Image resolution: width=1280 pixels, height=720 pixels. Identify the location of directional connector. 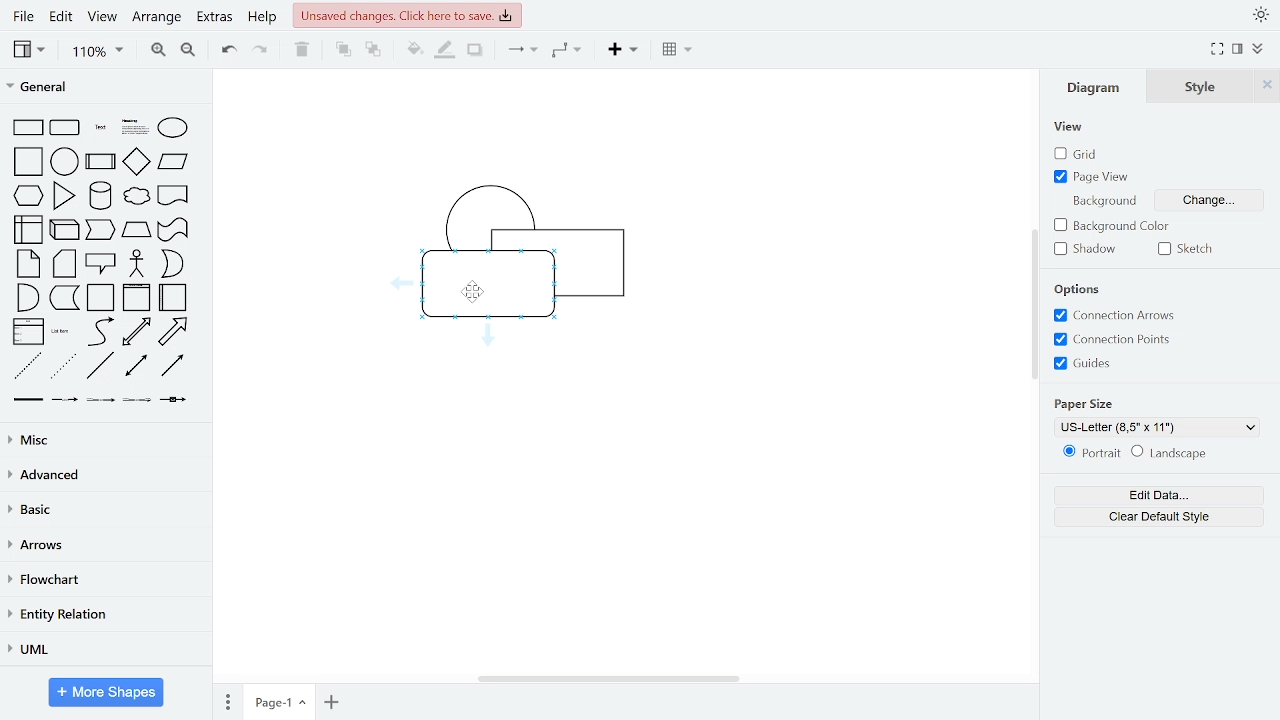
(172, 368).